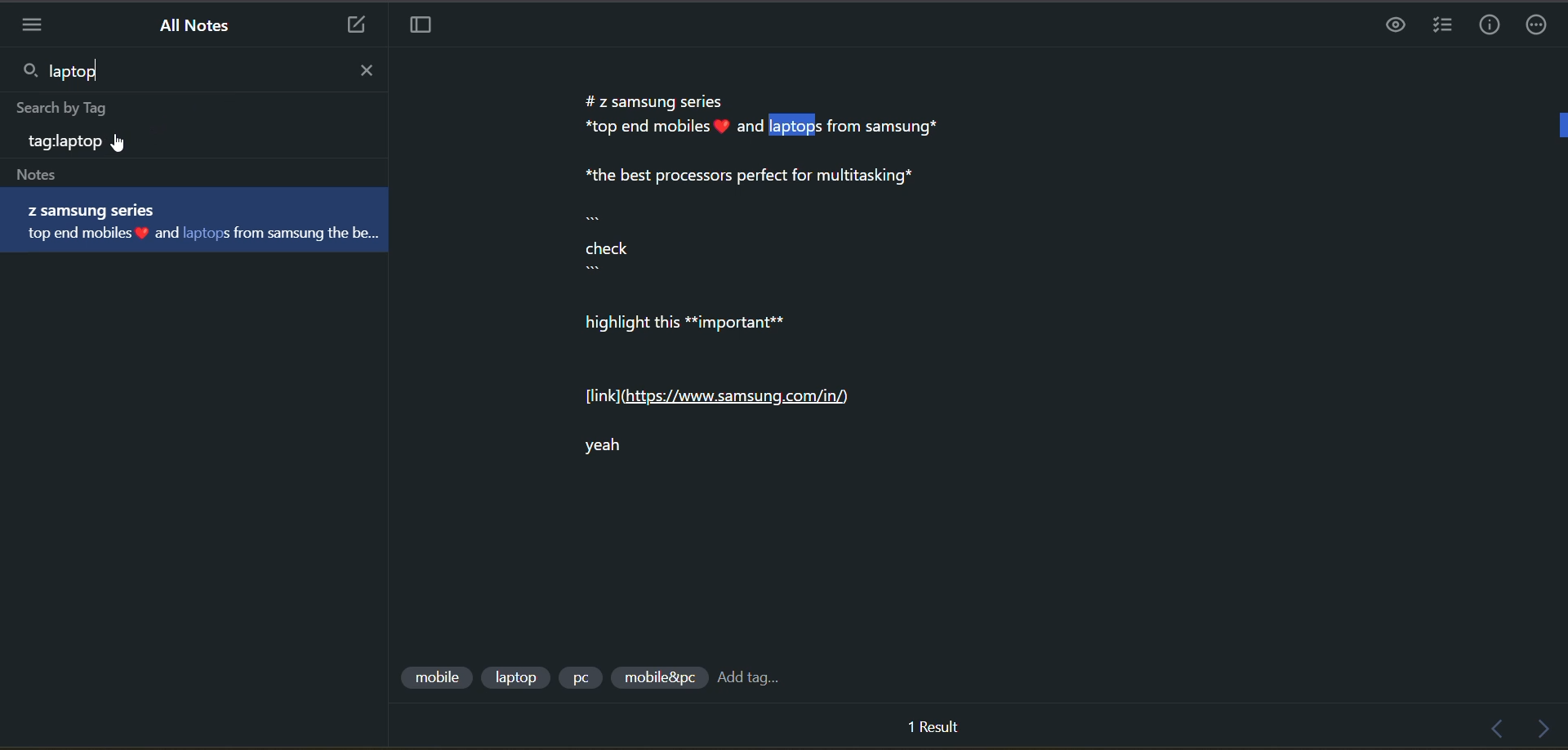 The image size is (1568, 750). What do you see at coordinates (614, 450) in the screenshot?
I see `yeah` at bounding box center [614, 450].